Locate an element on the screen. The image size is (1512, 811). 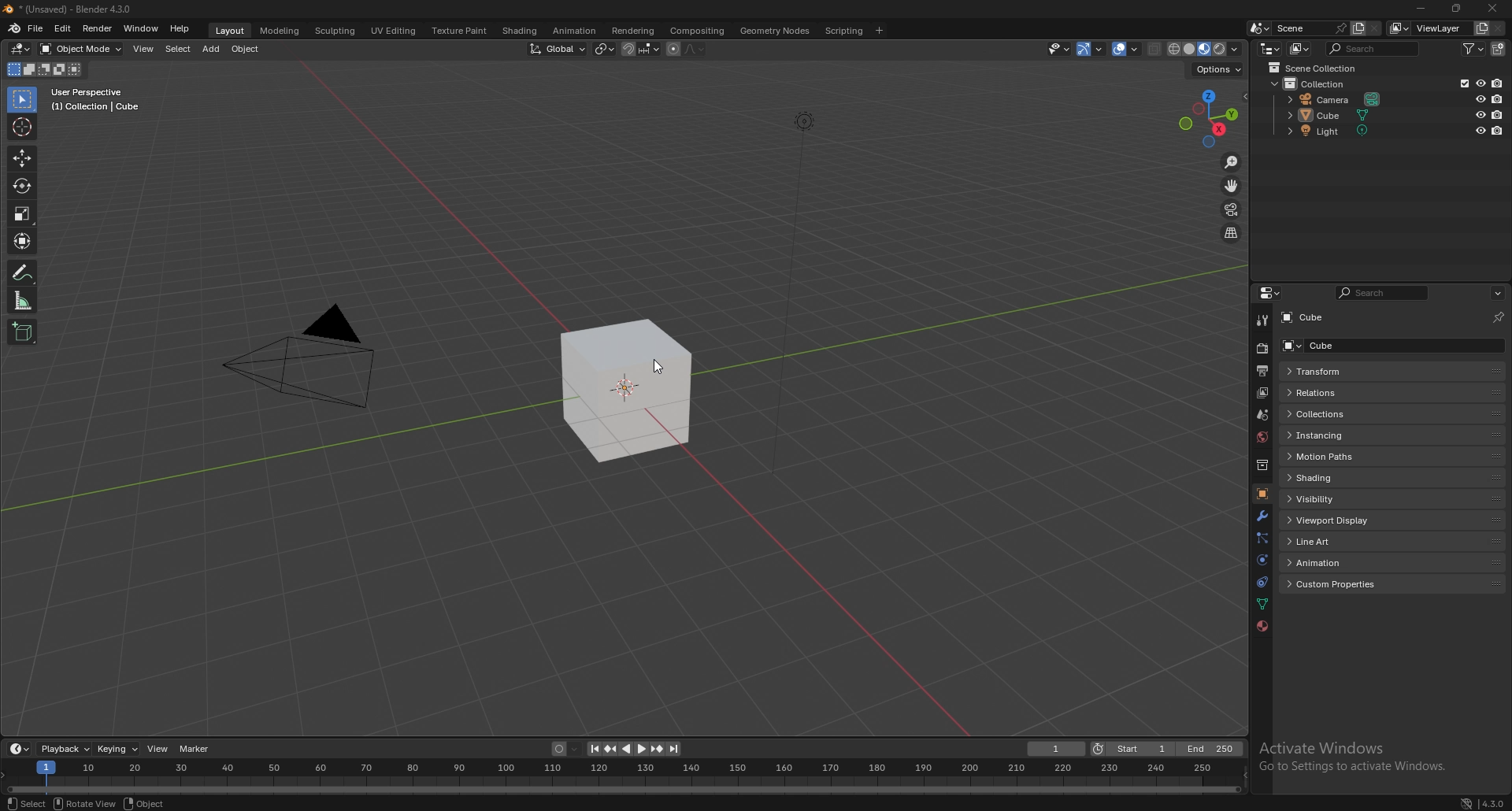
add scene is located at coordinates (1358, 28).